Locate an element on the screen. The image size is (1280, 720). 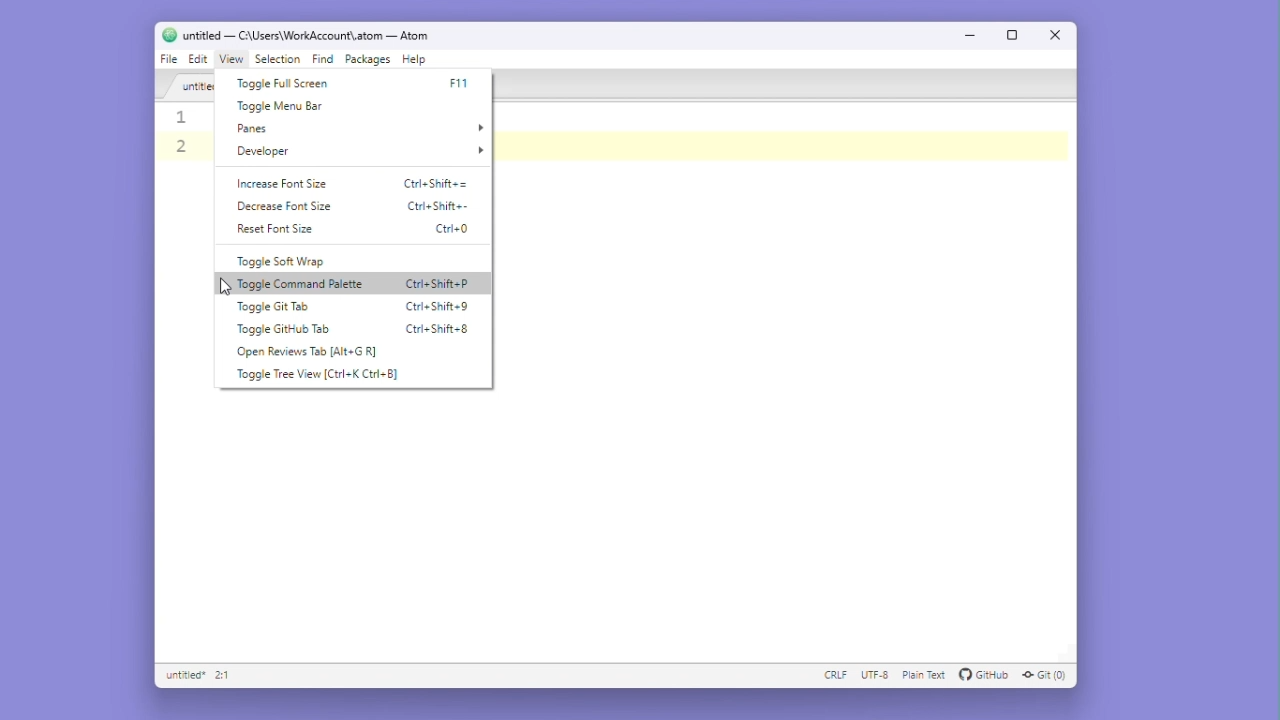
plain text is located at coordinates (922, 676).